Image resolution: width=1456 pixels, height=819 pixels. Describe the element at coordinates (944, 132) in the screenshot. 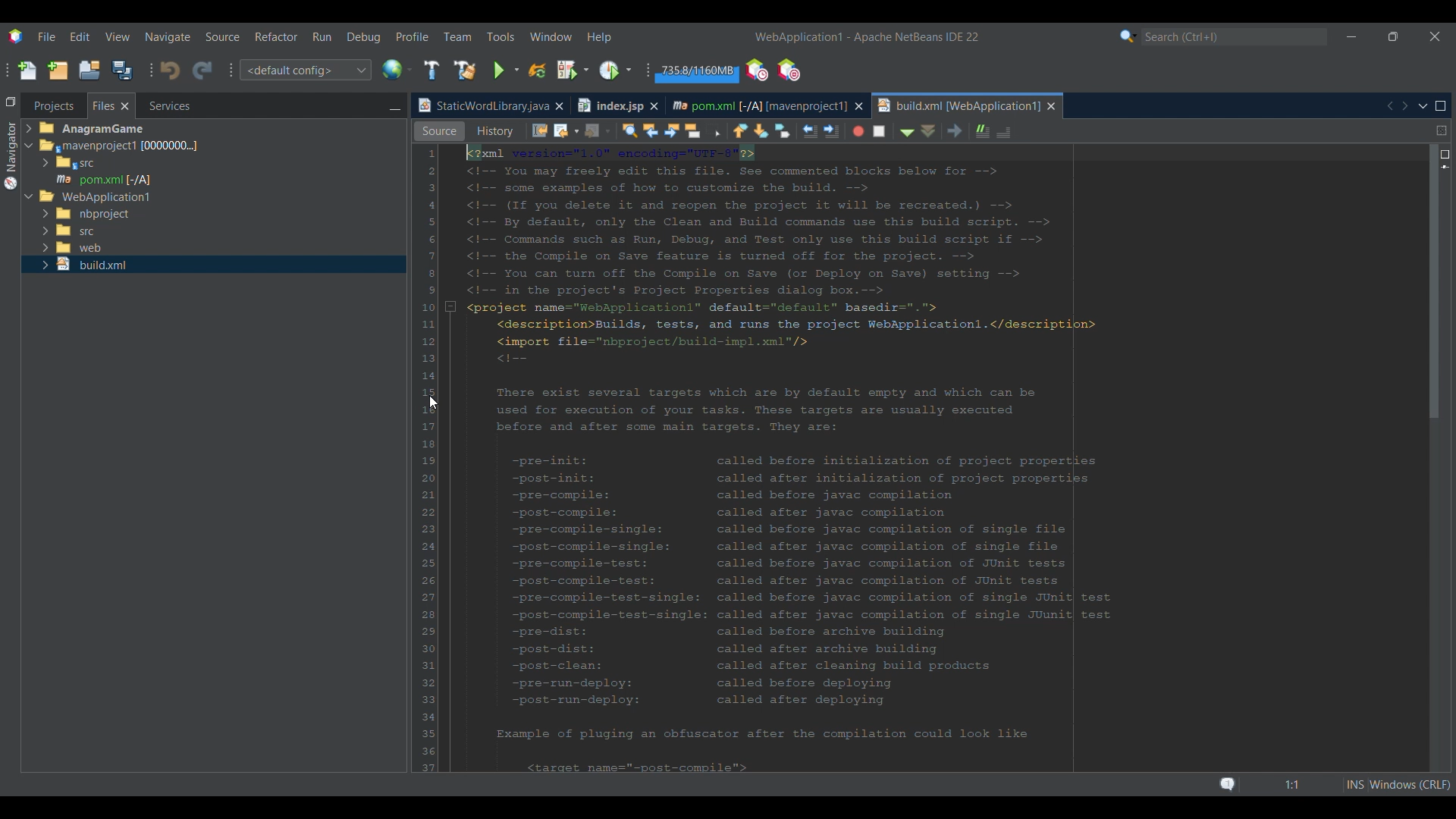

I see `Shift line left` at that location.